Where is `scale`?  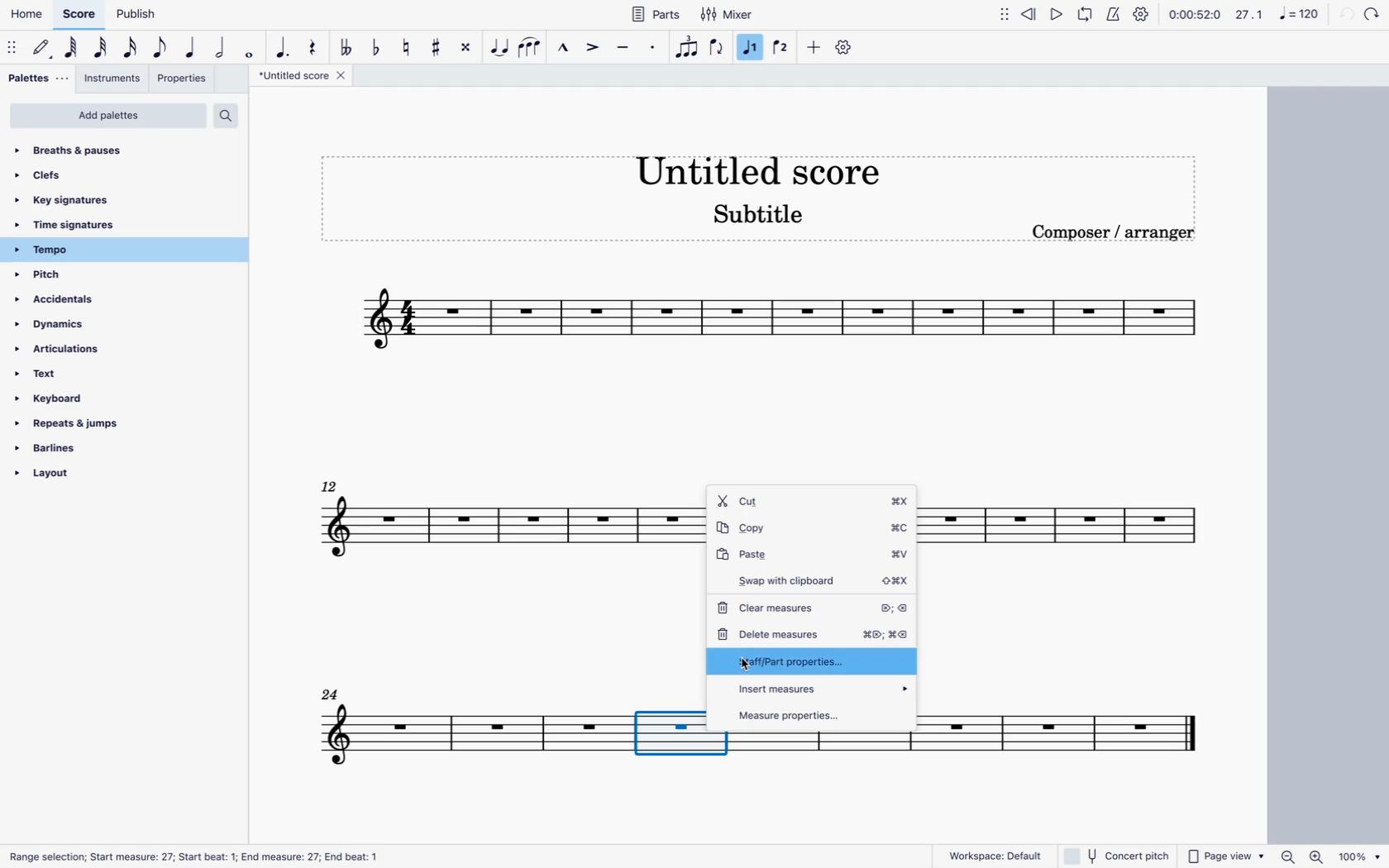 scale is located at coordinates (1277, 15).